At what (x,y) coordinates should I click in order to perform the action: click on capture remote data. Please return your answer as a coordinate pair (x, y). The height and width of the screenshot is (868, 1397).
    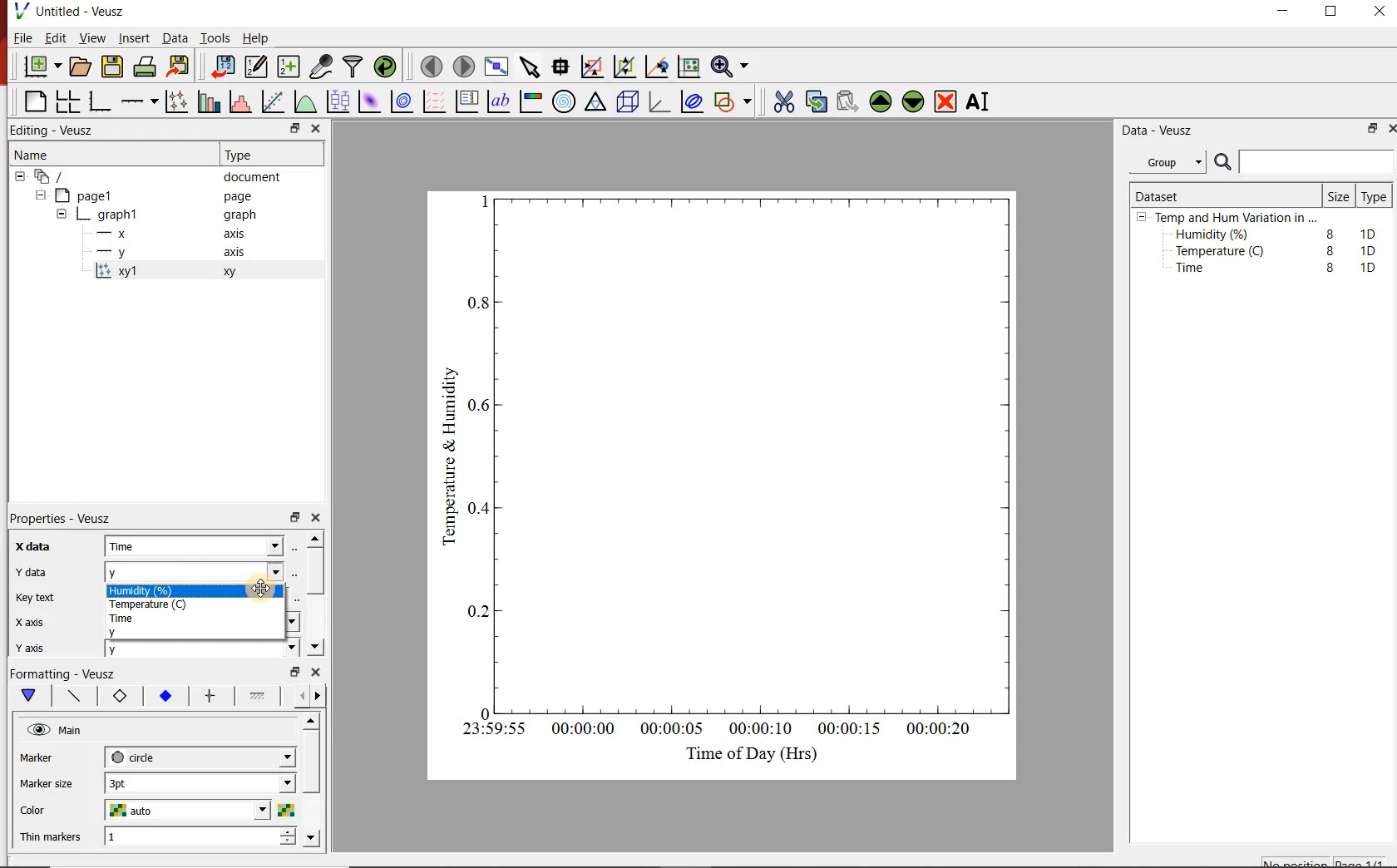
    Looking at the image, I should click on (320, 65).